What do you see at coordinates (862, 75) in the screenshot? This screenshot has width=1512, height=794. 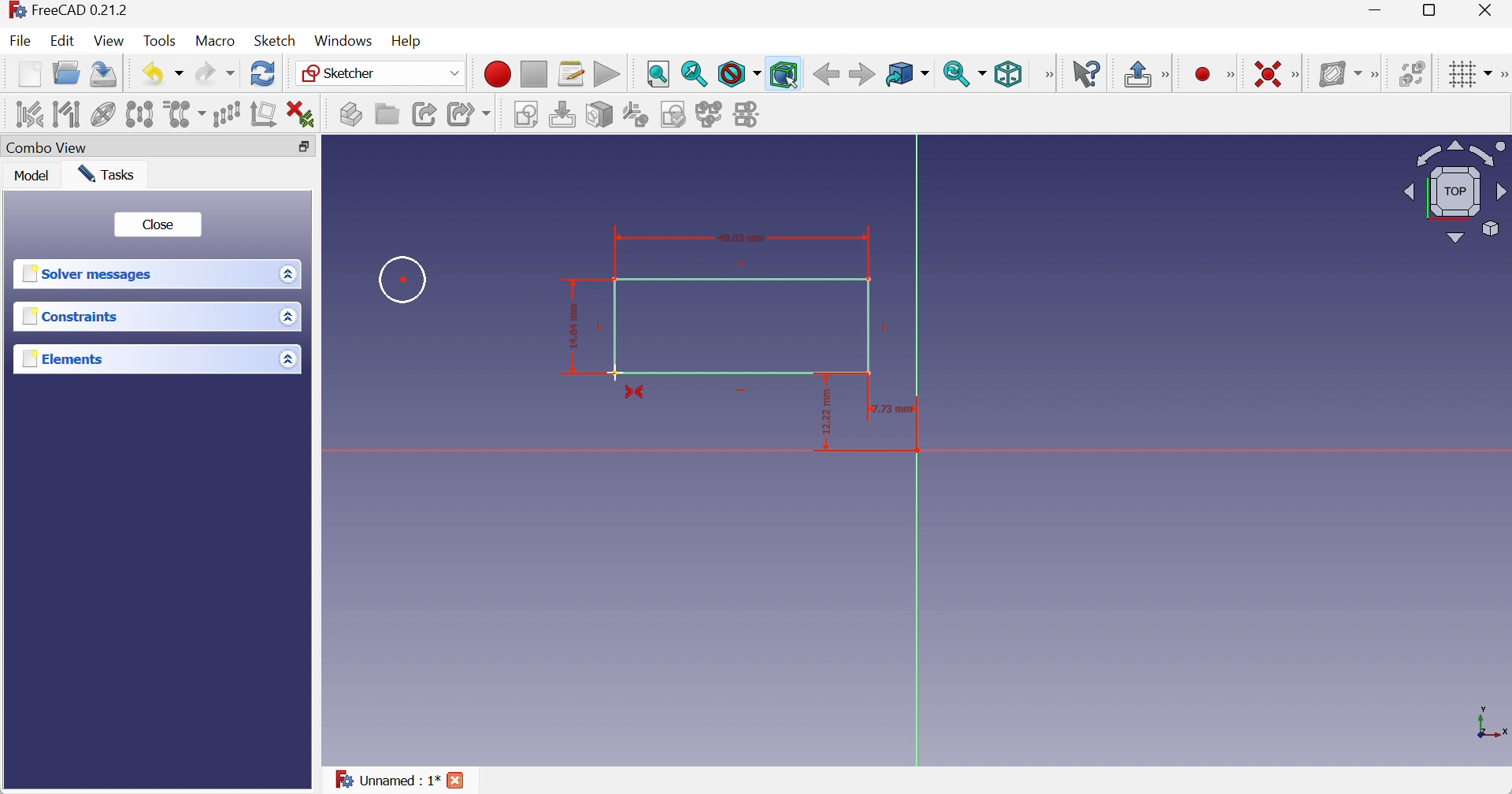 I see `Forward` at bounding box center [862, 75].